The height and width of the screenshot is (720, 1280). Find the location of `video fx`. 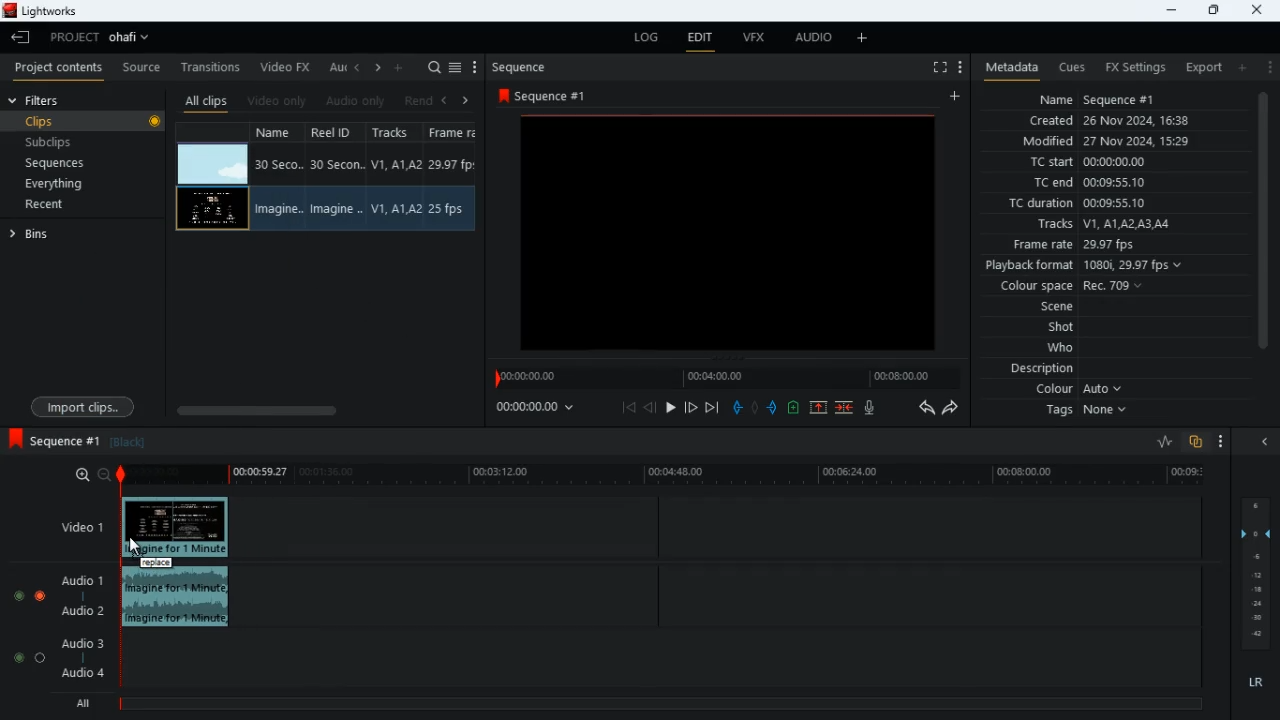

video fx is located at coordinates (286, 68).